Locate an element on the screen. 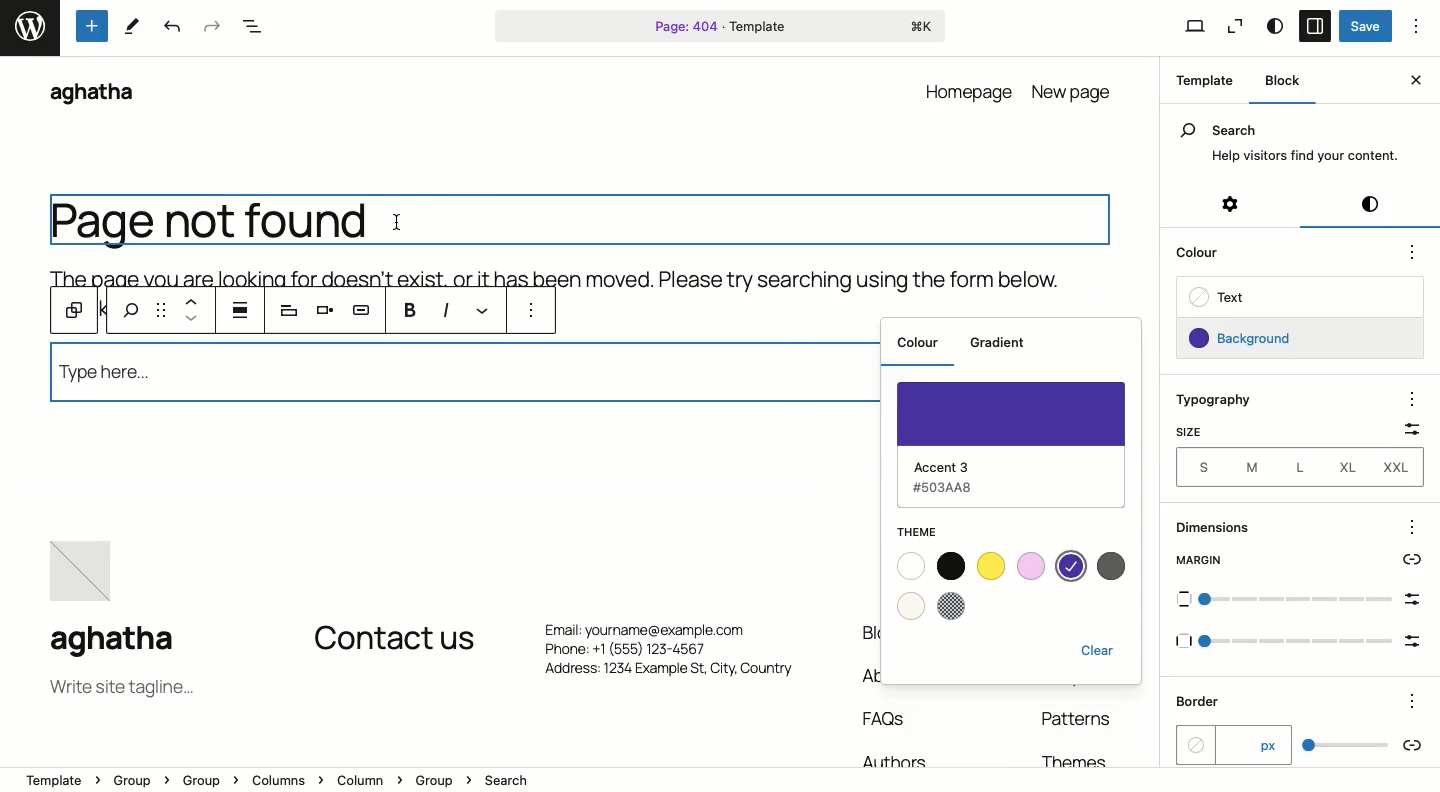 Image resolution: width=1440 pixels, height=792 pixels. Margin is located at coordinates (1302, 561).